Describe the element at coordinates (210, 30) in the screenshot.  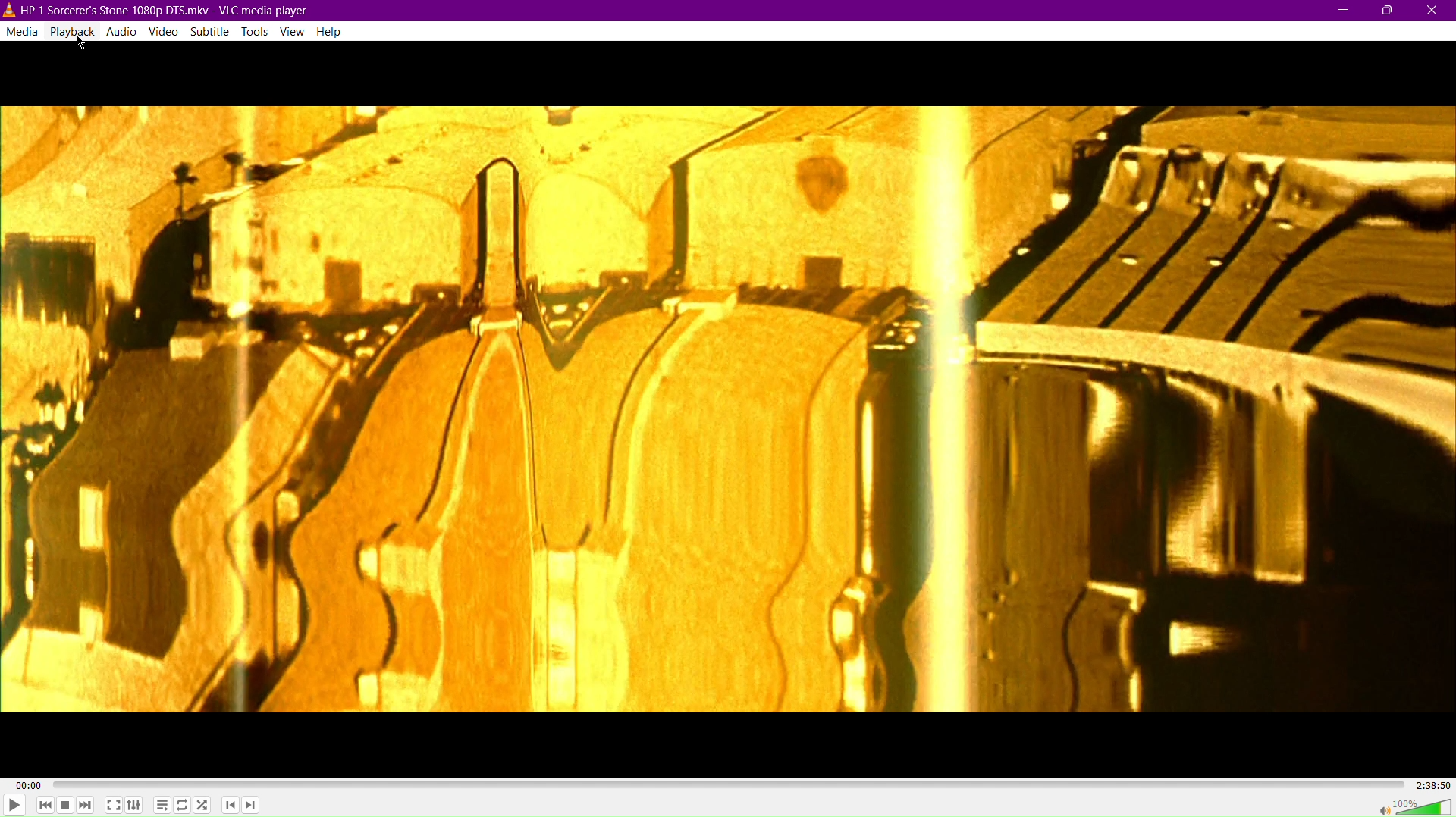
I see `Subtitle` at that location.